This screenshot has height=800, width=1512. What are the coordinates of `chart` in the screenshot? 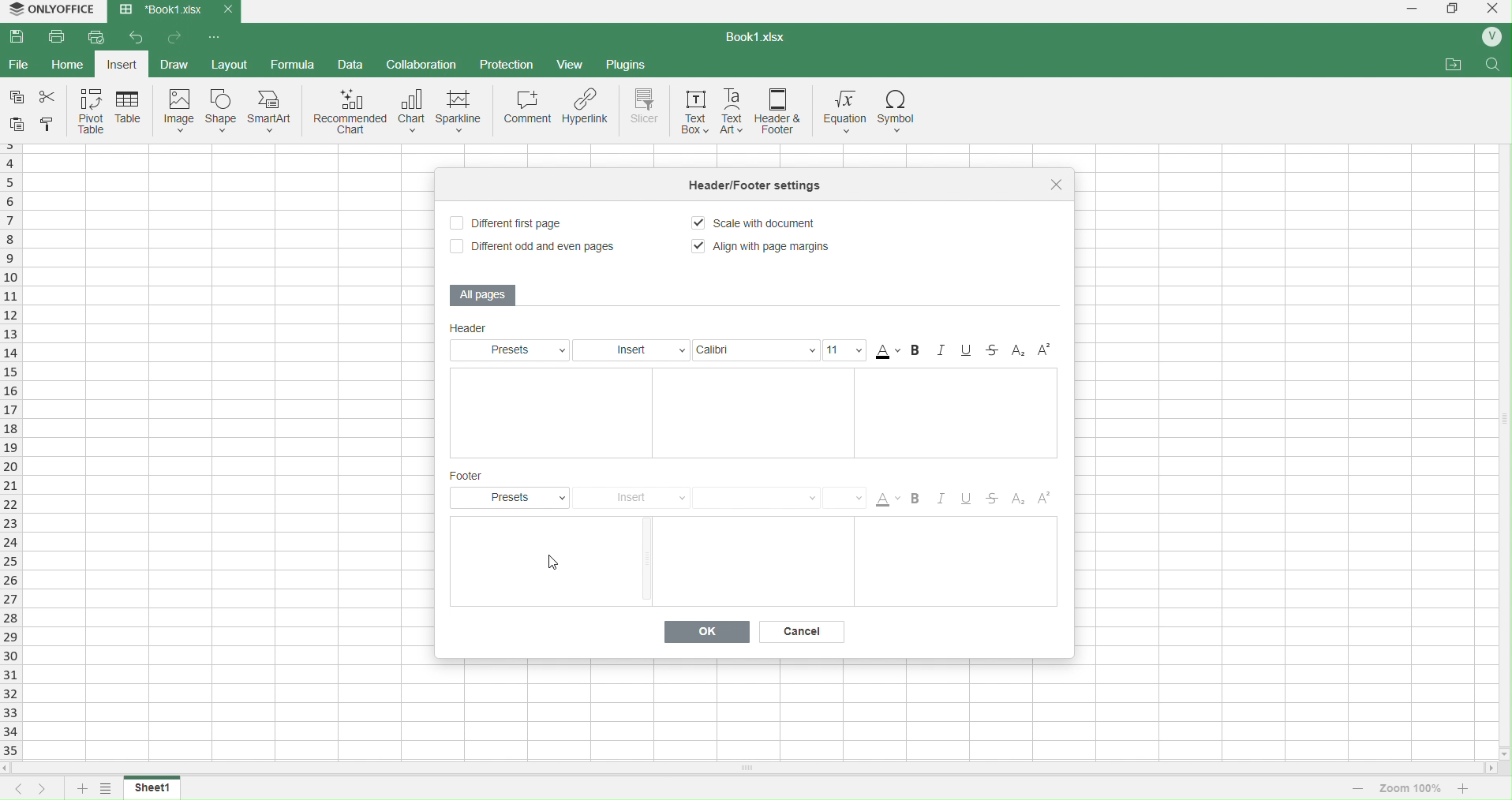 It's located at (411, 112).